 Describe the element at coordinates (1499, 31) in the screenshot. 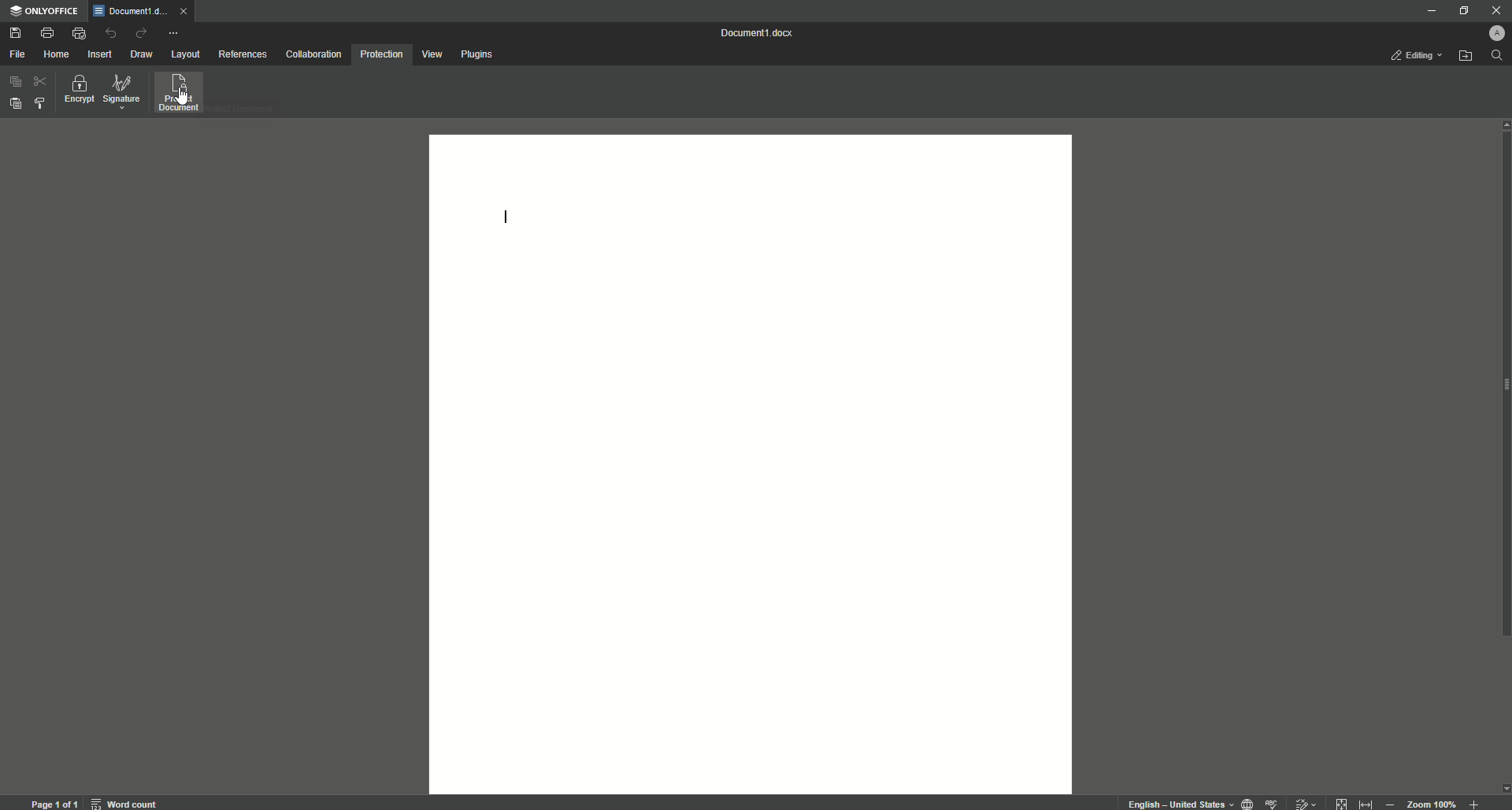

I see `Profile` at that location.